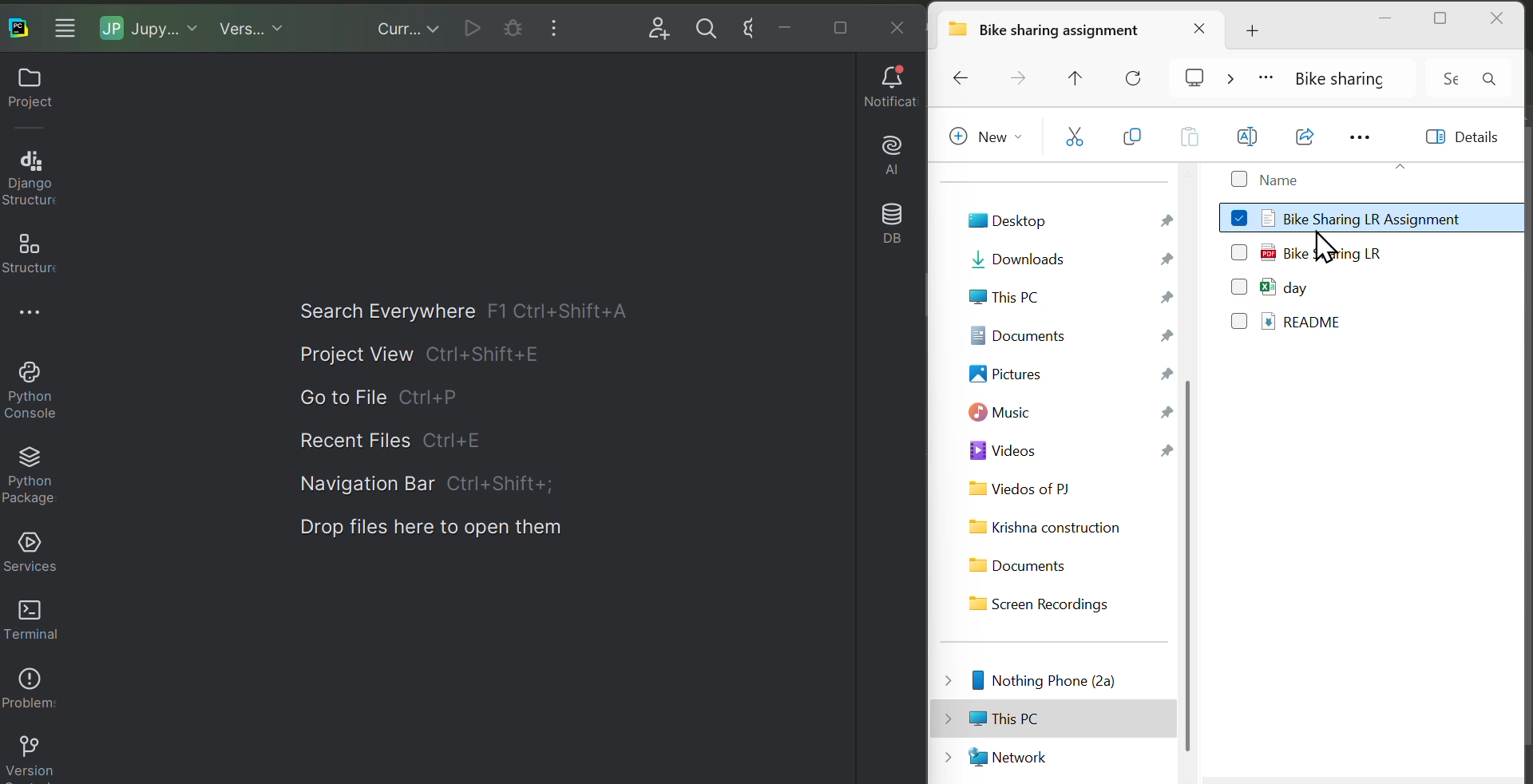  What do you see at coordinates (467, 307) in the screenshot?
I see `Search everywhere` at bounding box center [467, 307].